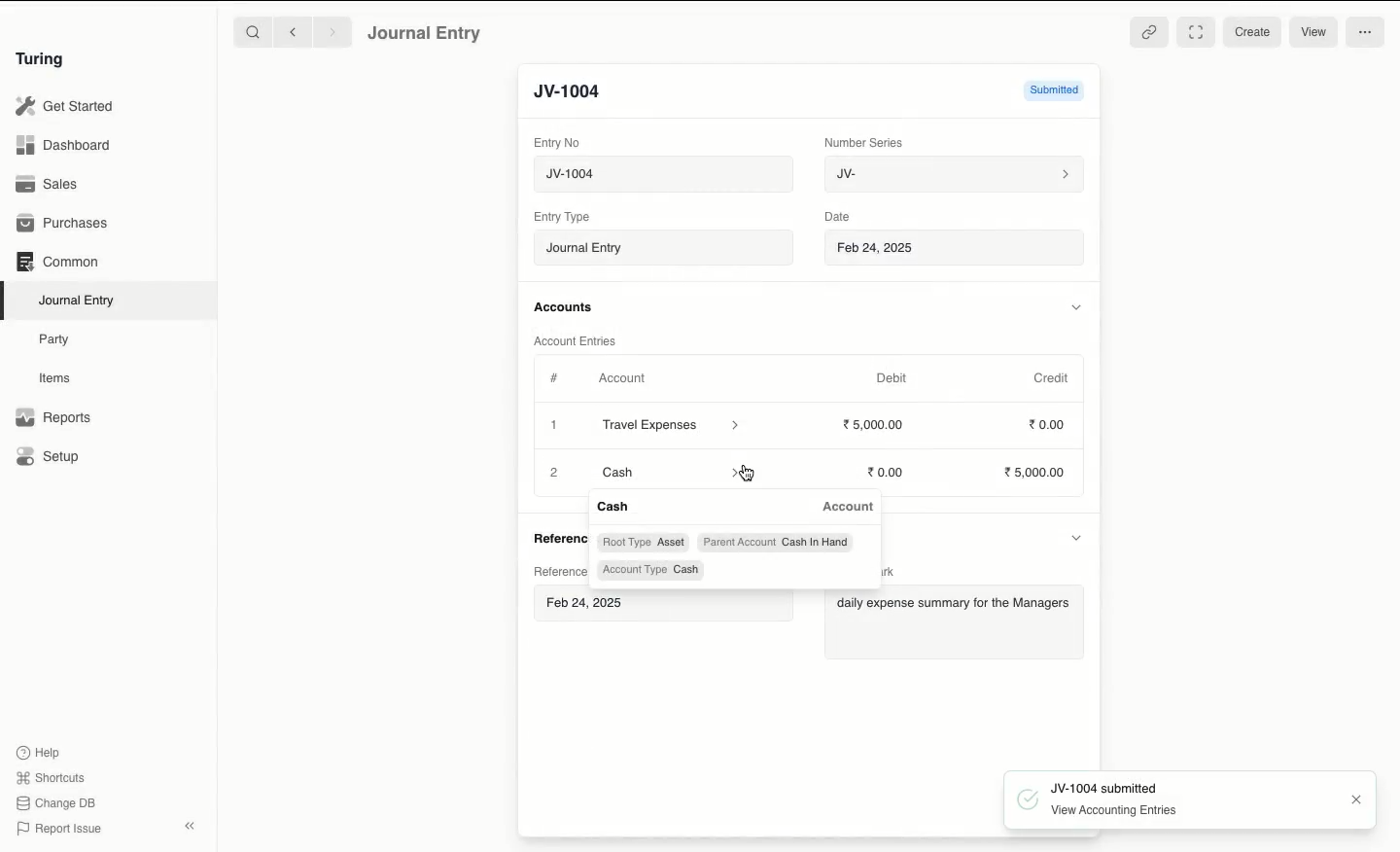 The width and height of the screenshot is (1400, 852). I want to click on JV-1004 submitted, so click(1107, 787).